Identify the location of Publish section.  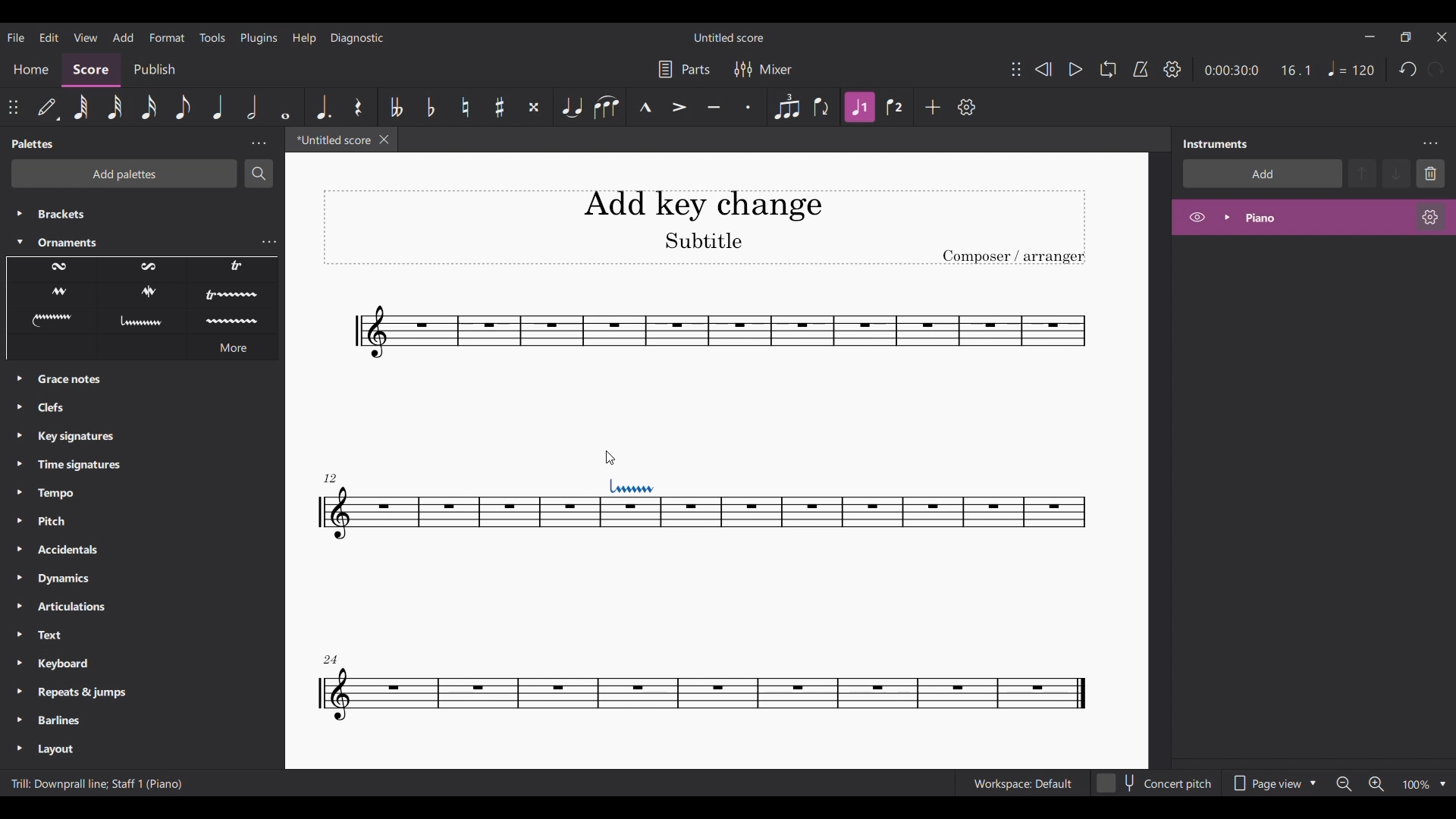
(155, 71).